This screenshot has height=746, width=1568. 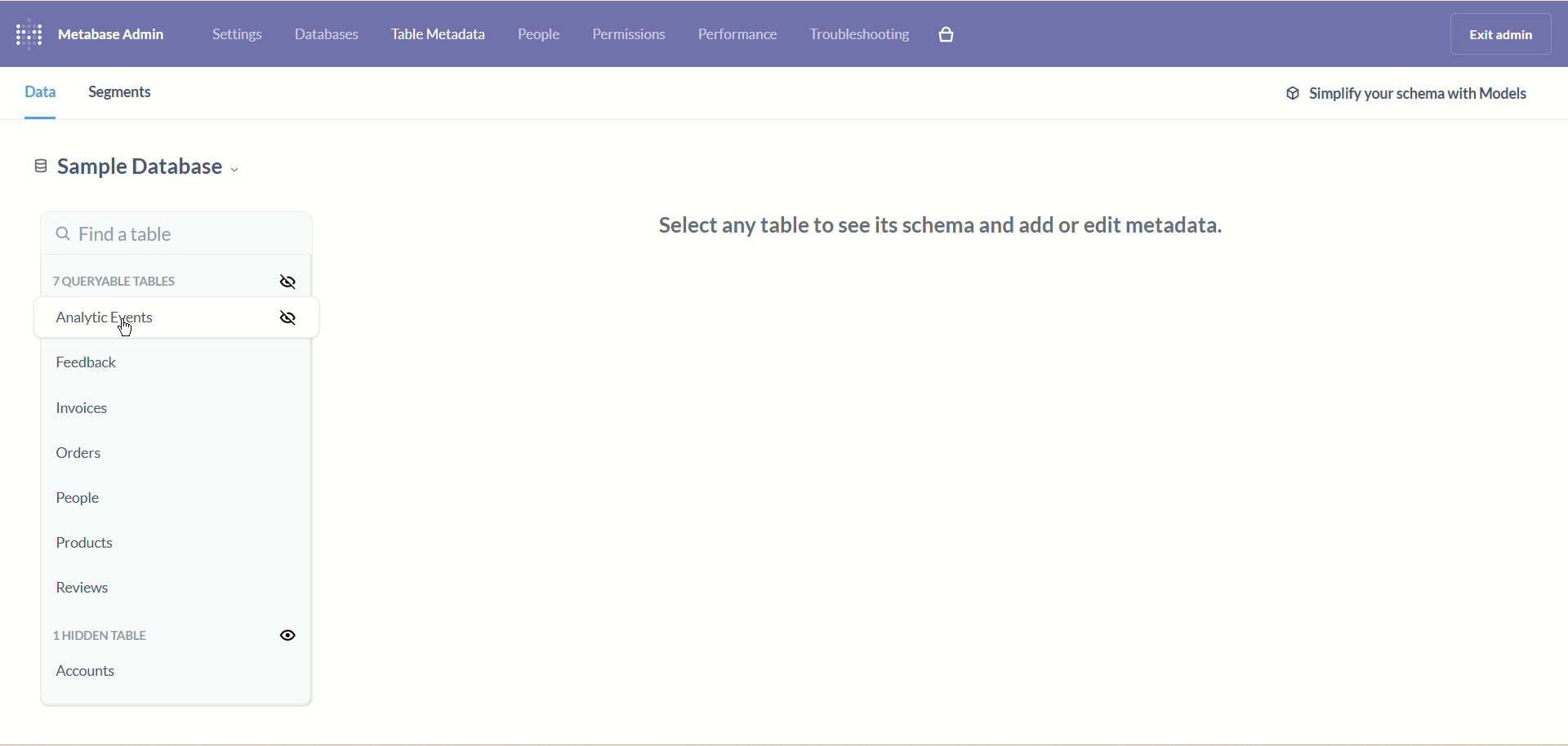 I want to click on Metabase admin, so click(x=118, y=36).